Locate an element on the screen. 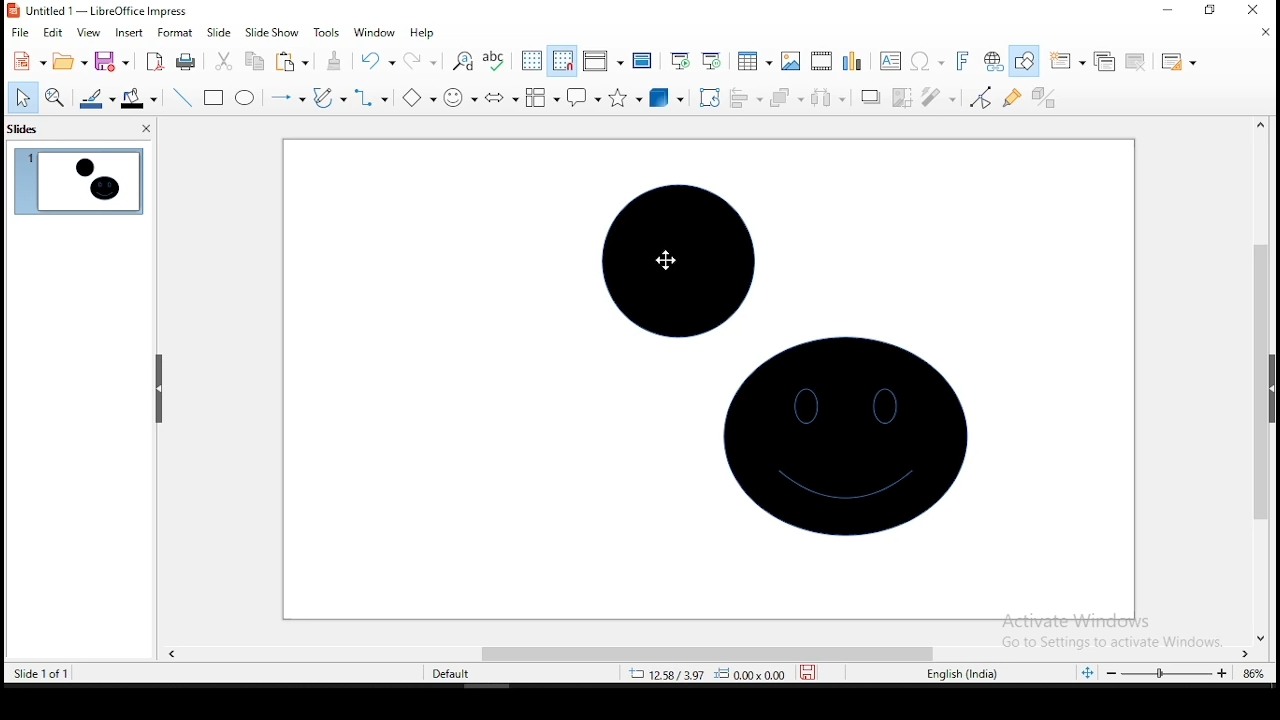 The image size is (1280, 720). cut is located at coordinates (223, 61).